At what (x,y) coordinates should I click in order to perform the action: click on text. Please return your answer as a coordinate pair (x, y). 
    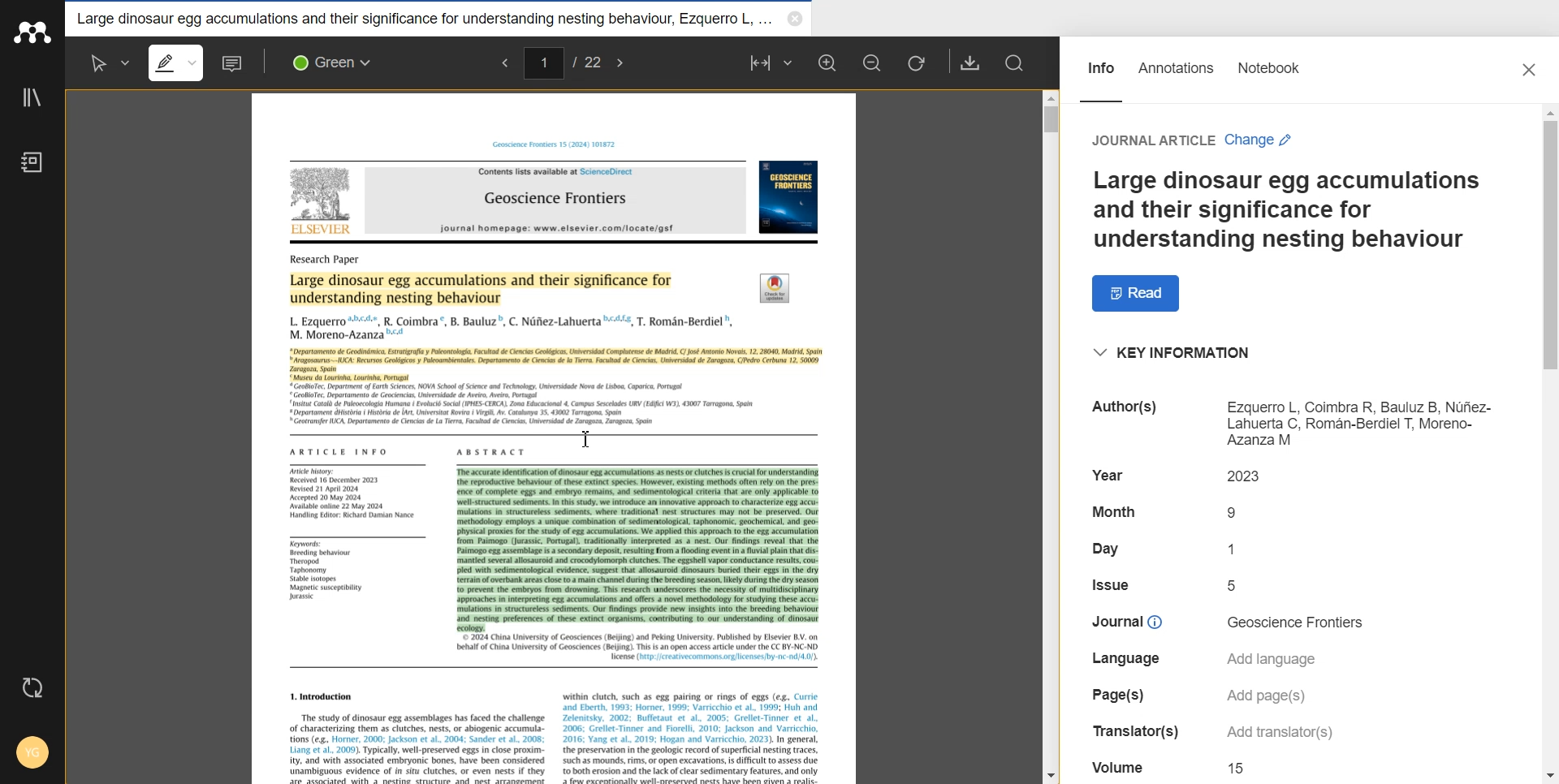
    Looking at the image, I should click on (1276, 734).